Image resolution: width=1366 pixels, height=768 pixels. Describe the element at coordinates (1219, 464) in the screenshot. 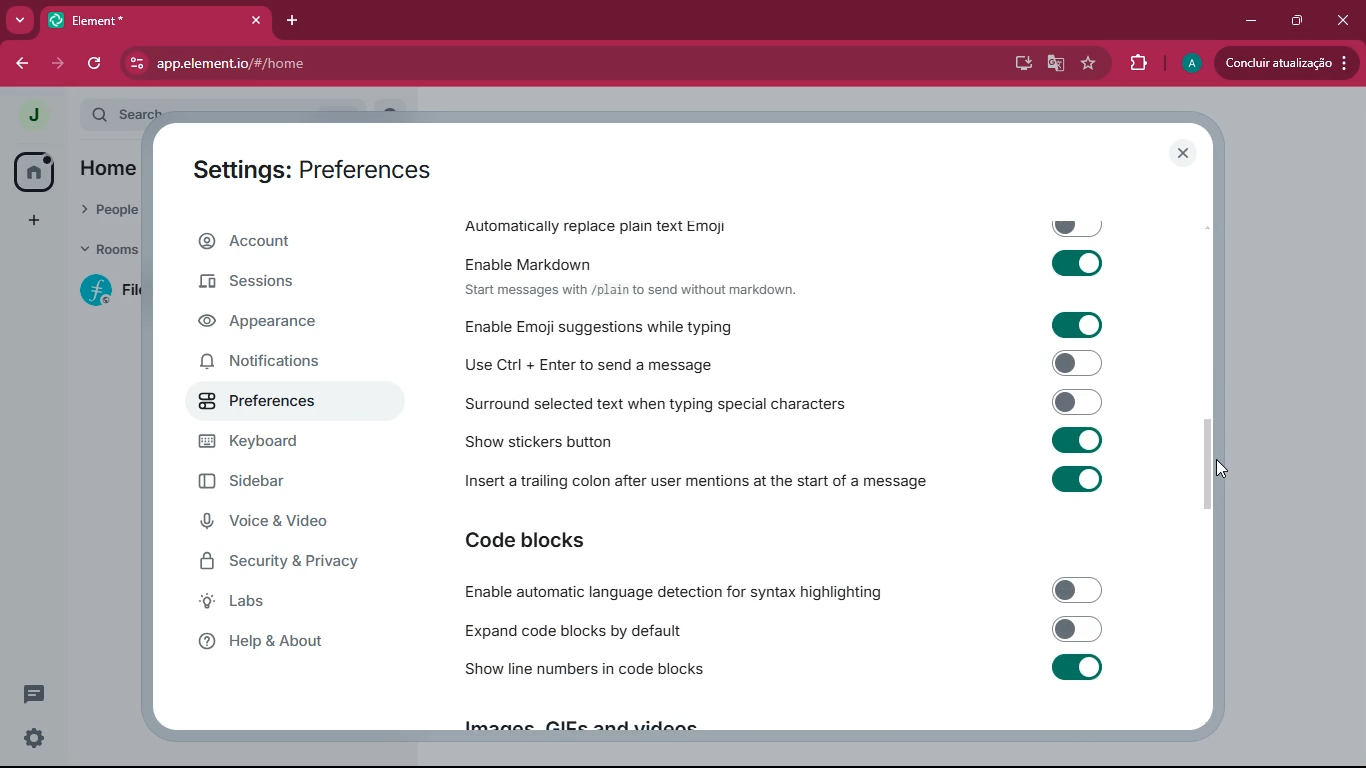

I see `Cursor on scroll bar` at that location.